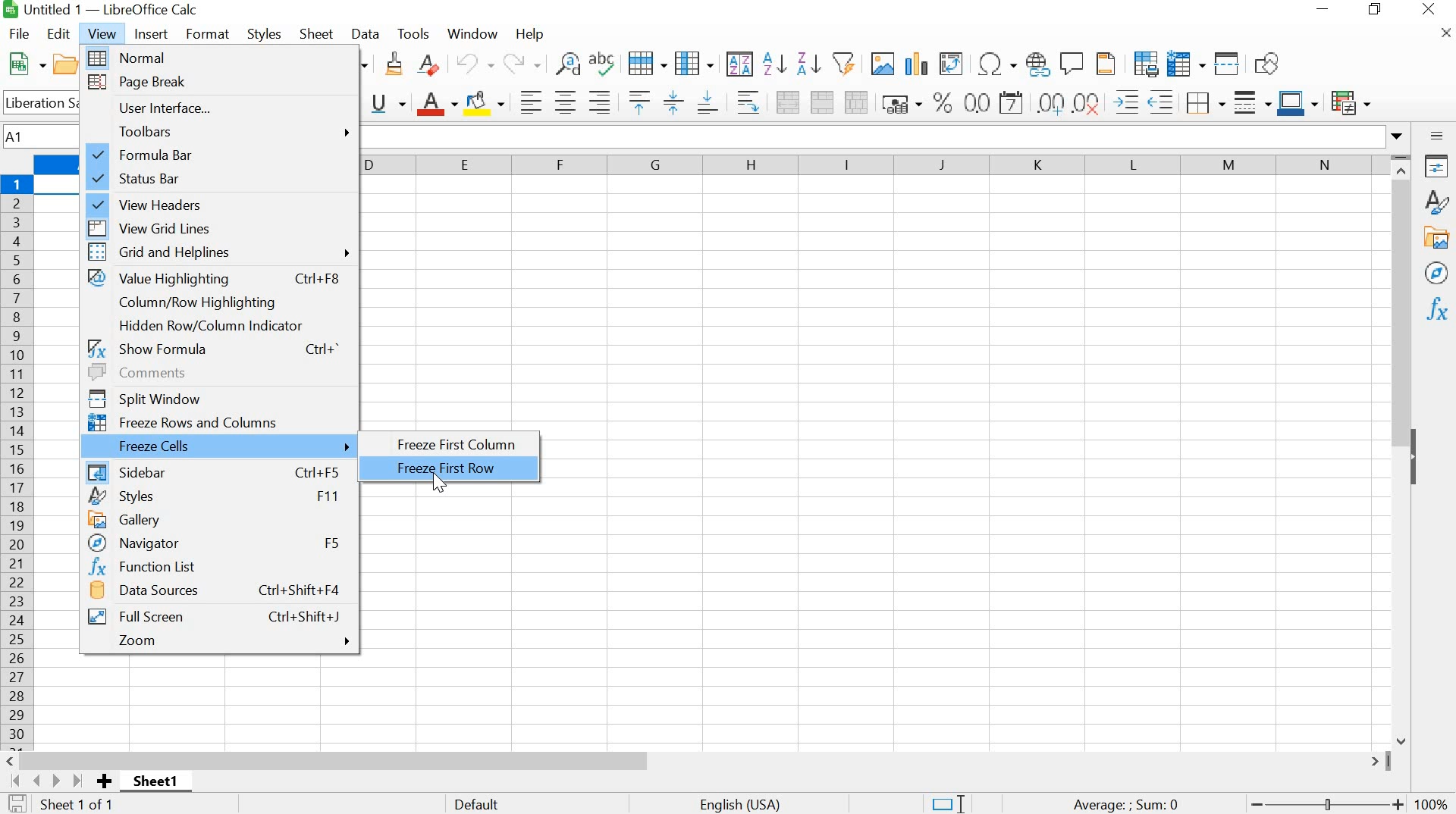 The image size is (1456, 814). What do you see at coordinates (159, 784) in the screenshot?
I see `SHEET` at bounding box center [159, 784].